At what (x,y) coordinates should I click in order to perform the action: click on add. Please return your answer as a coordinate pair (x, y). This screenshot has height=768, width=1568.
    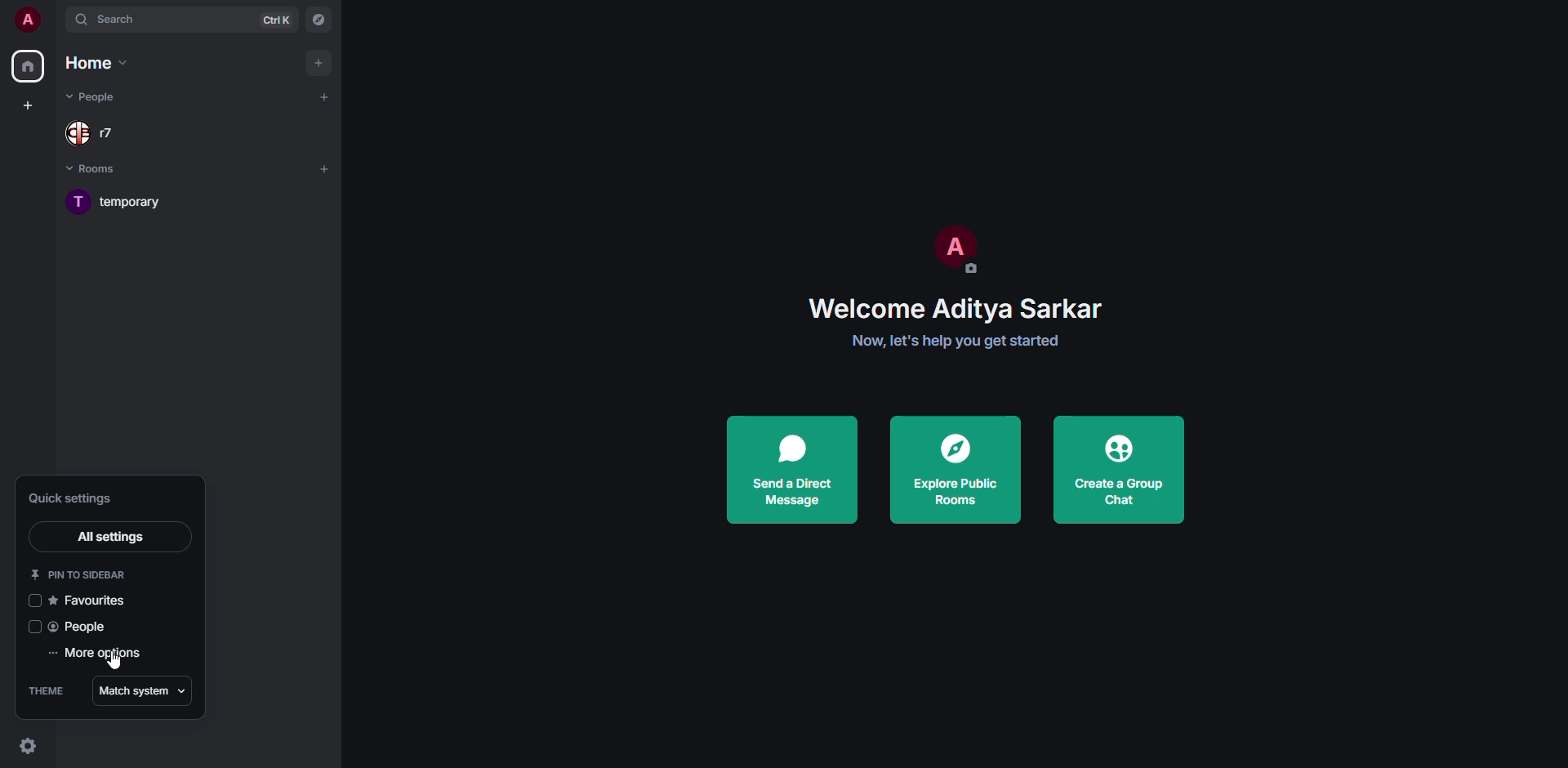
    Looking at the image, I should click on (318, 62).